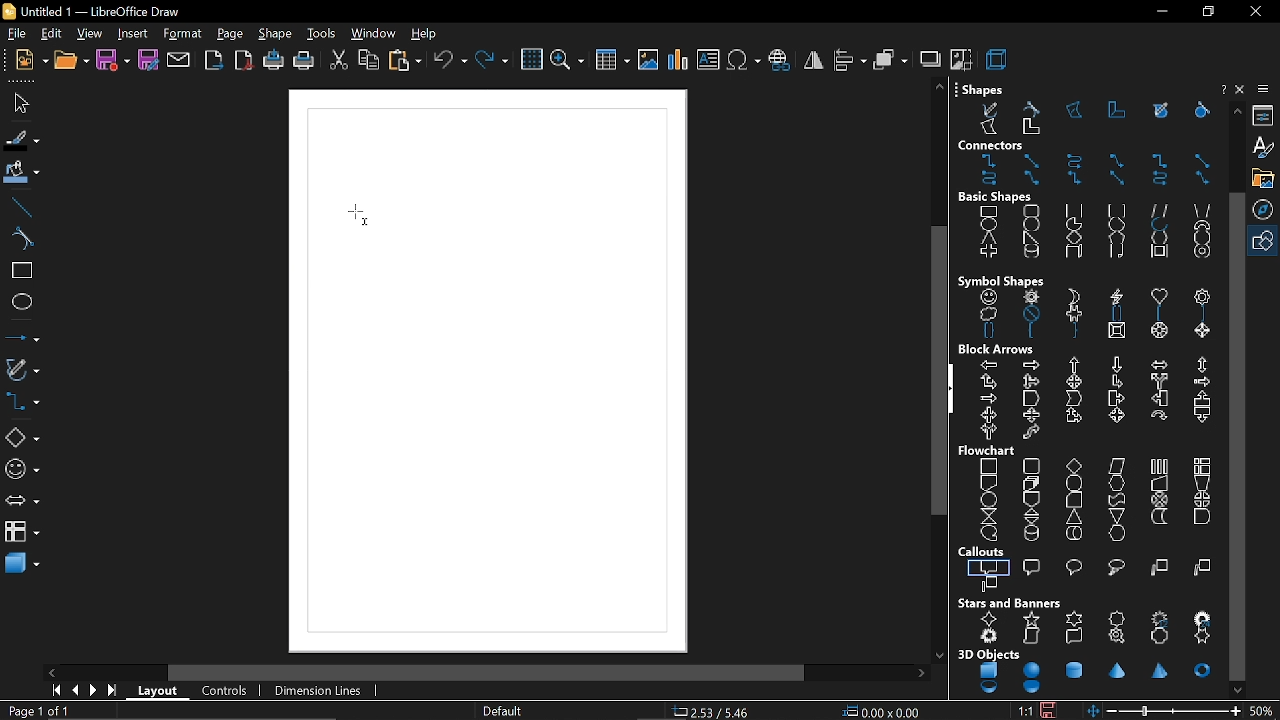  What do you see at coordinates (1073, 669) in the screenshot?
I see `cylinder` at bounding box center [1073, 669].